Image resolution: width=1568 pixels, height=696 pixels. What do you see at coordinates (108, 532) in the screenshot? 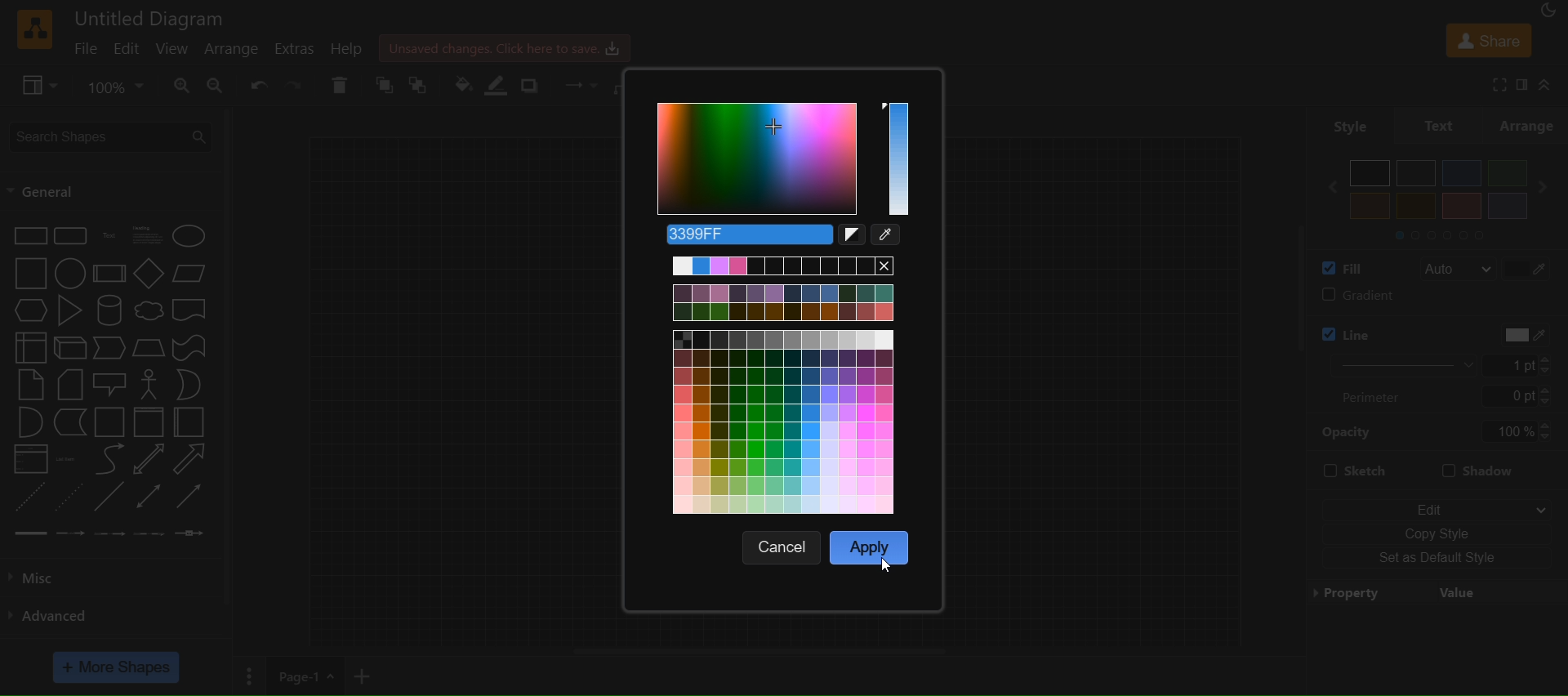
I see `connector 3` at bounding box center [108, 532].